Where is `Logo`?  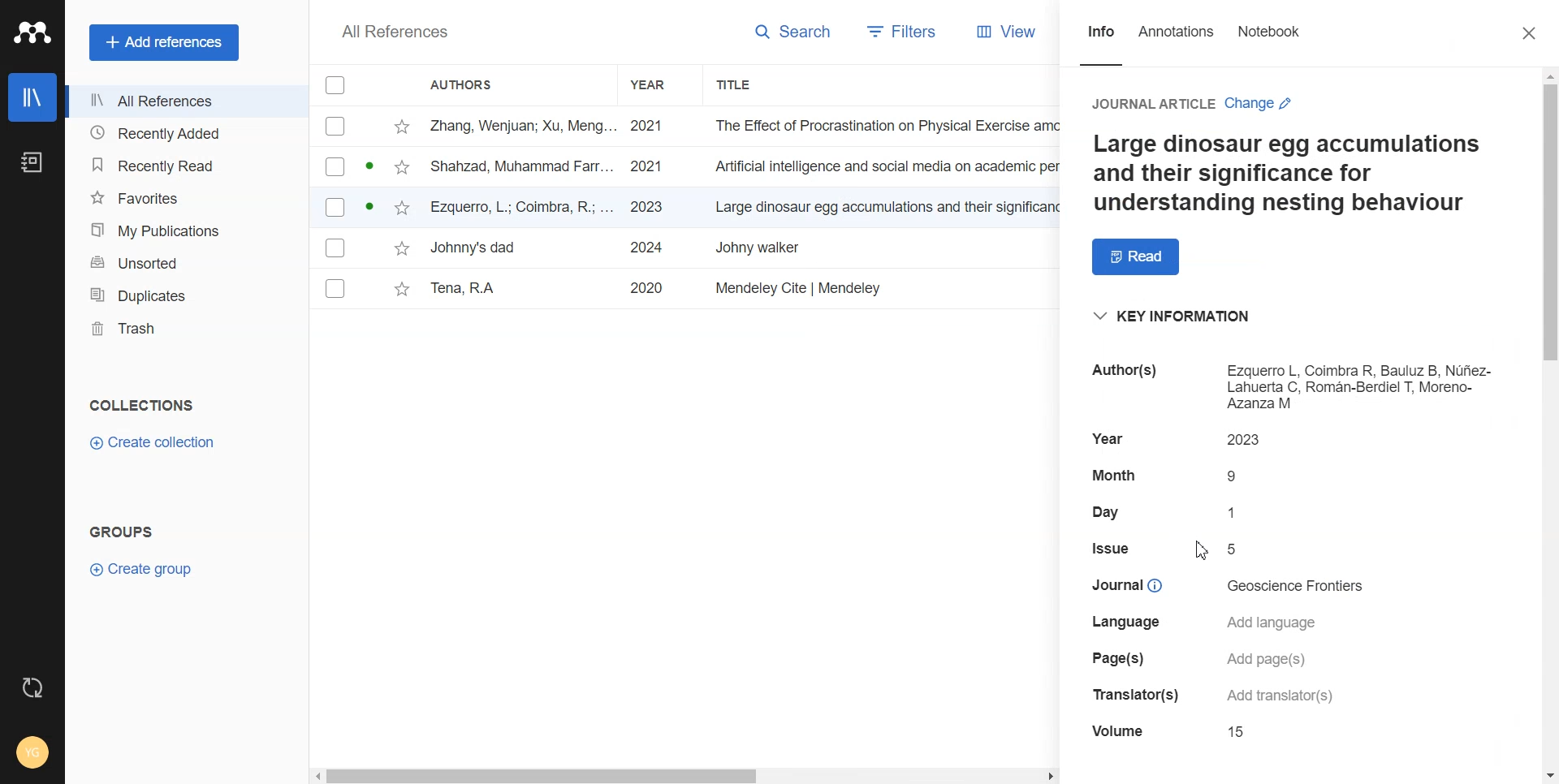
Logo is located at coordinates (33, 32).